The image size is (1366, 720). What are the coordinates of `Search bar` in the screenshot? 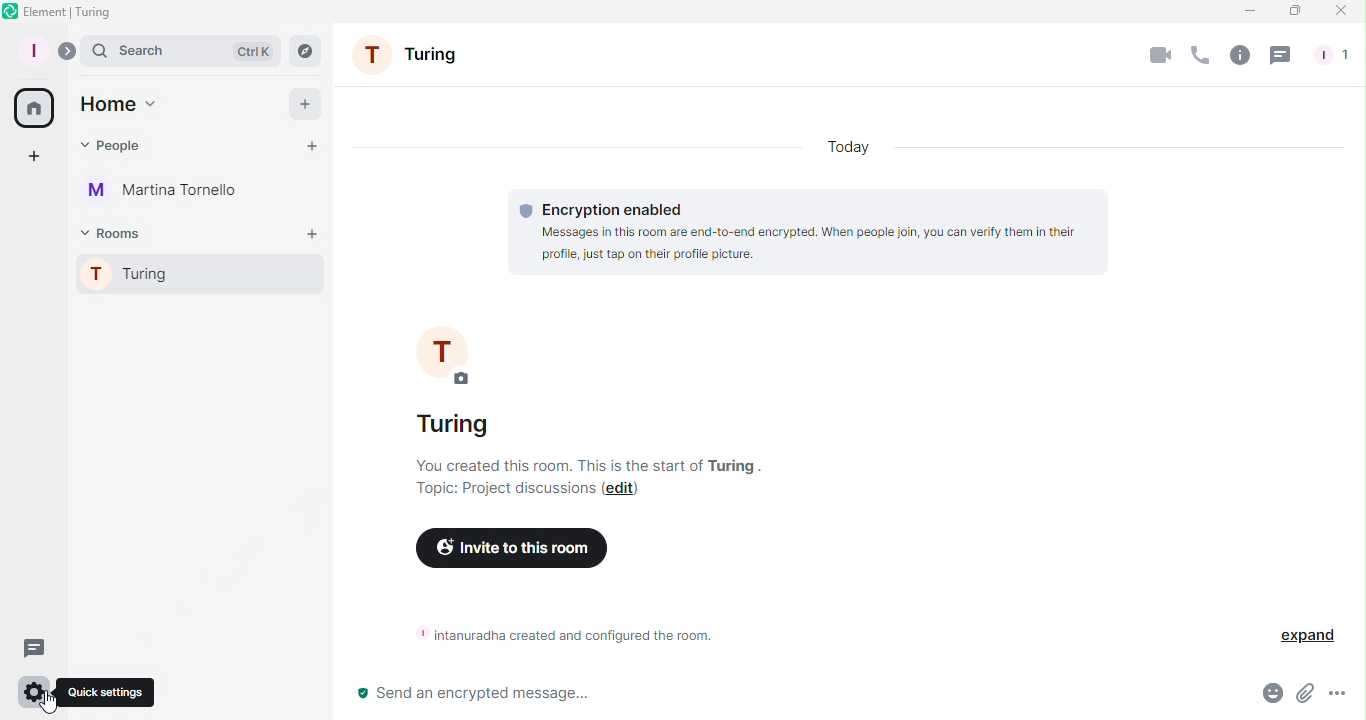 It's located at (187, 52).